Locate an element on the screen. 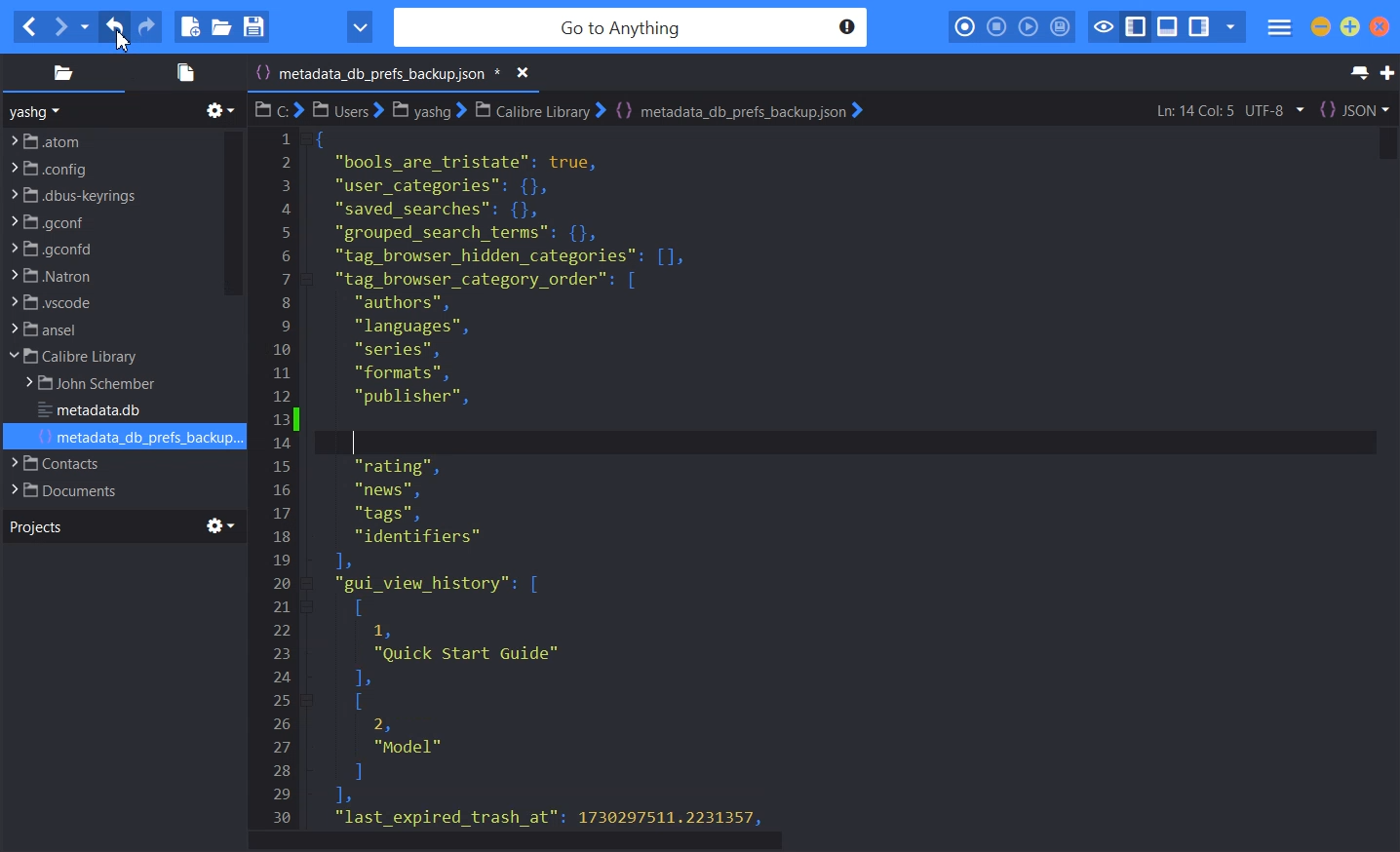  yashg is located at coordinates (38, 111).